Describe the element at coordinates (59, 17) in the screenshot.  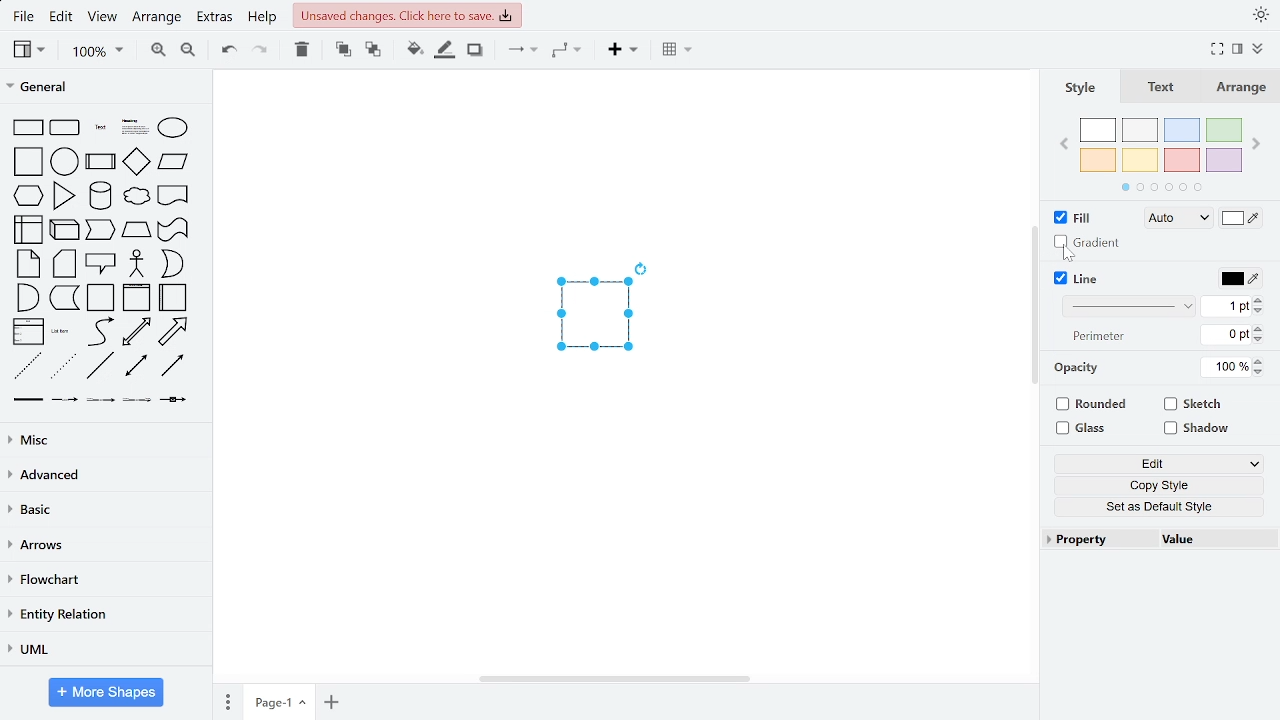
I see `edit` at that location.